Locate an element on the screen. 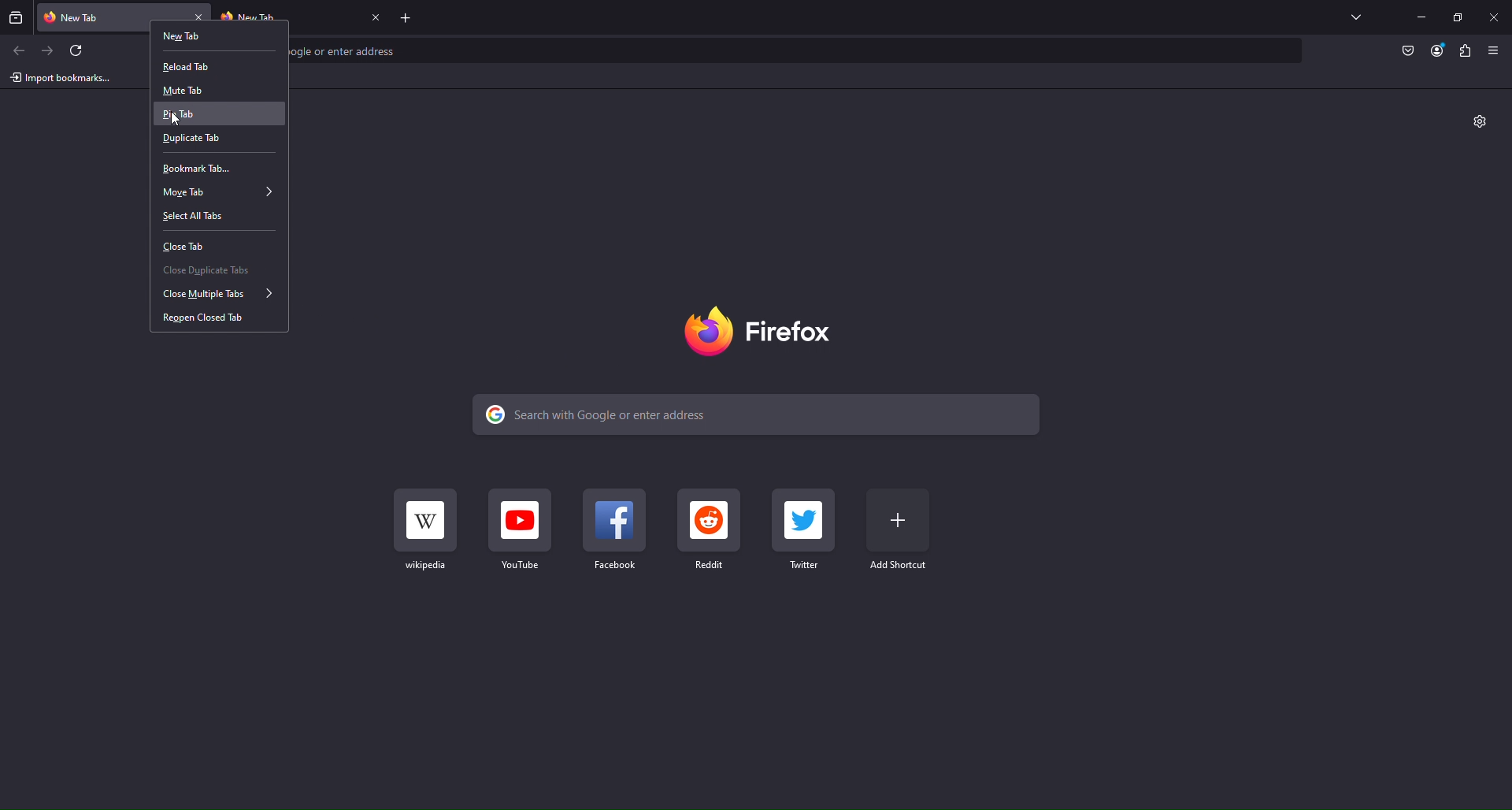 The height and width of the screenshot is (810, 1512). Logo is located at coordinates (766, 330).